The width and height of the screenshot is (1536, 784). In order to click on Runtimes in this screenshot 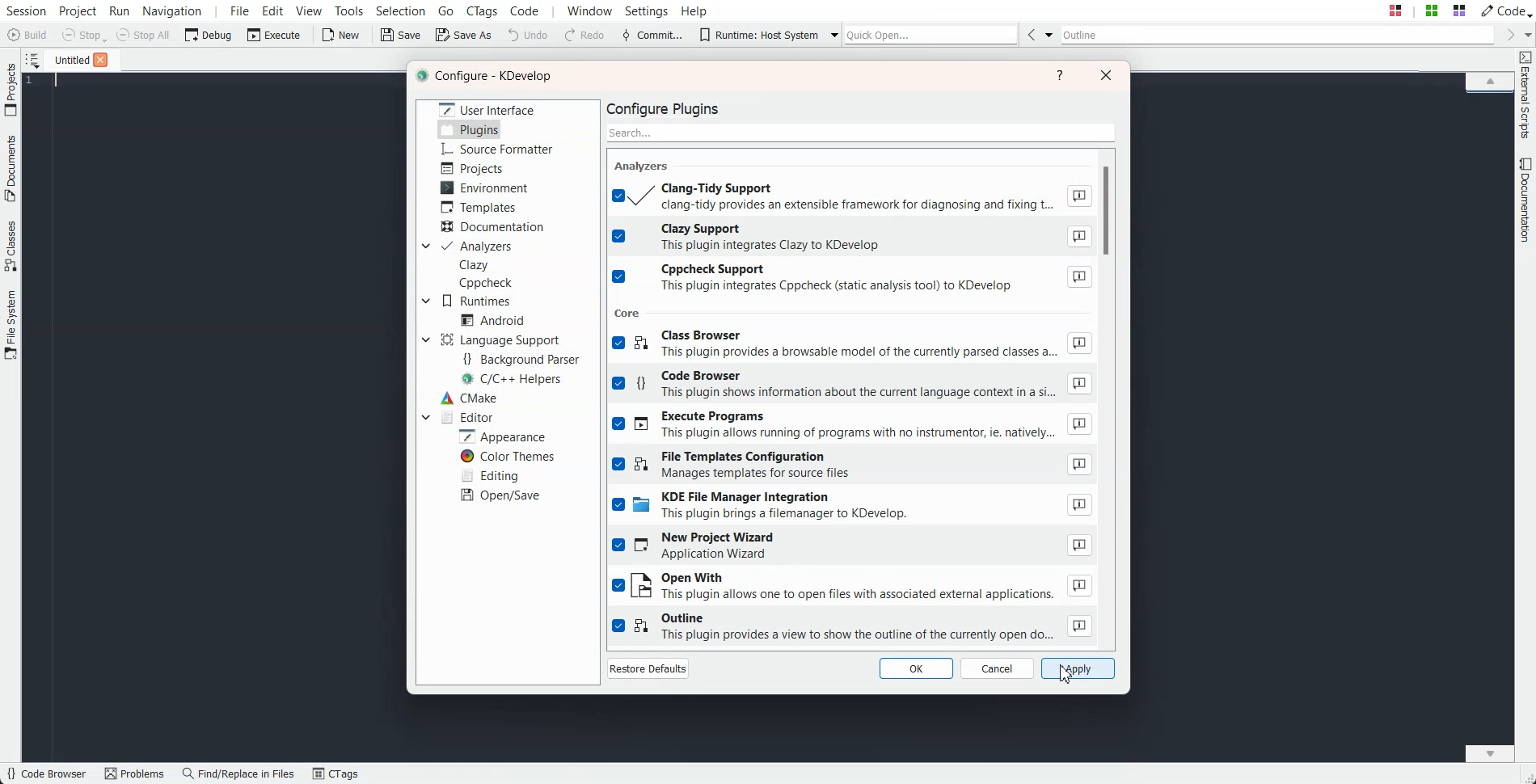, I will do `click(477, 301)`.